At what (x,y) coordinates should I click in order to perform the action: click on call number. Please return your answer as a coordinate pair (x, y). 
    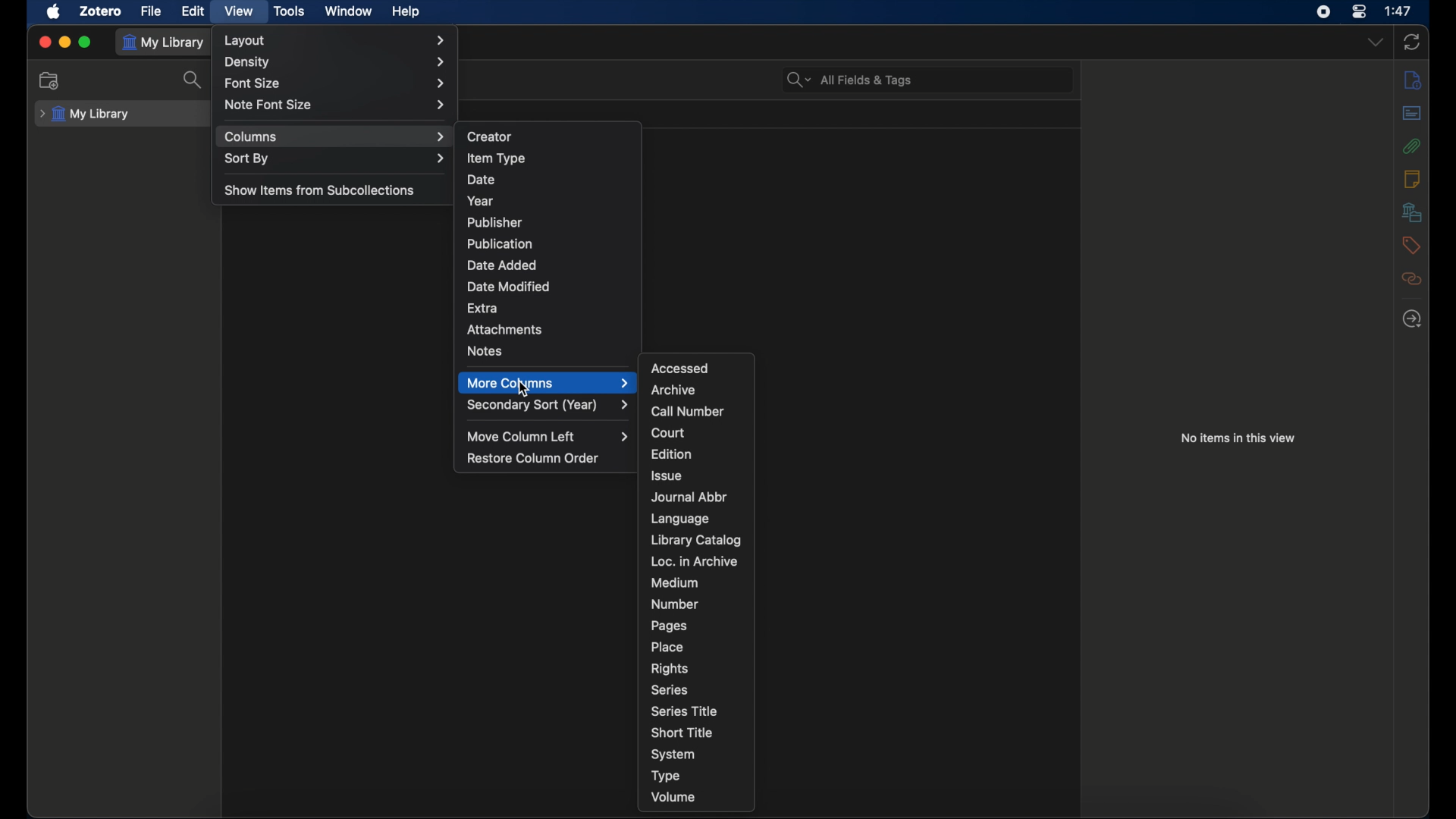
    Looking at the image, I should click on (686, 412).